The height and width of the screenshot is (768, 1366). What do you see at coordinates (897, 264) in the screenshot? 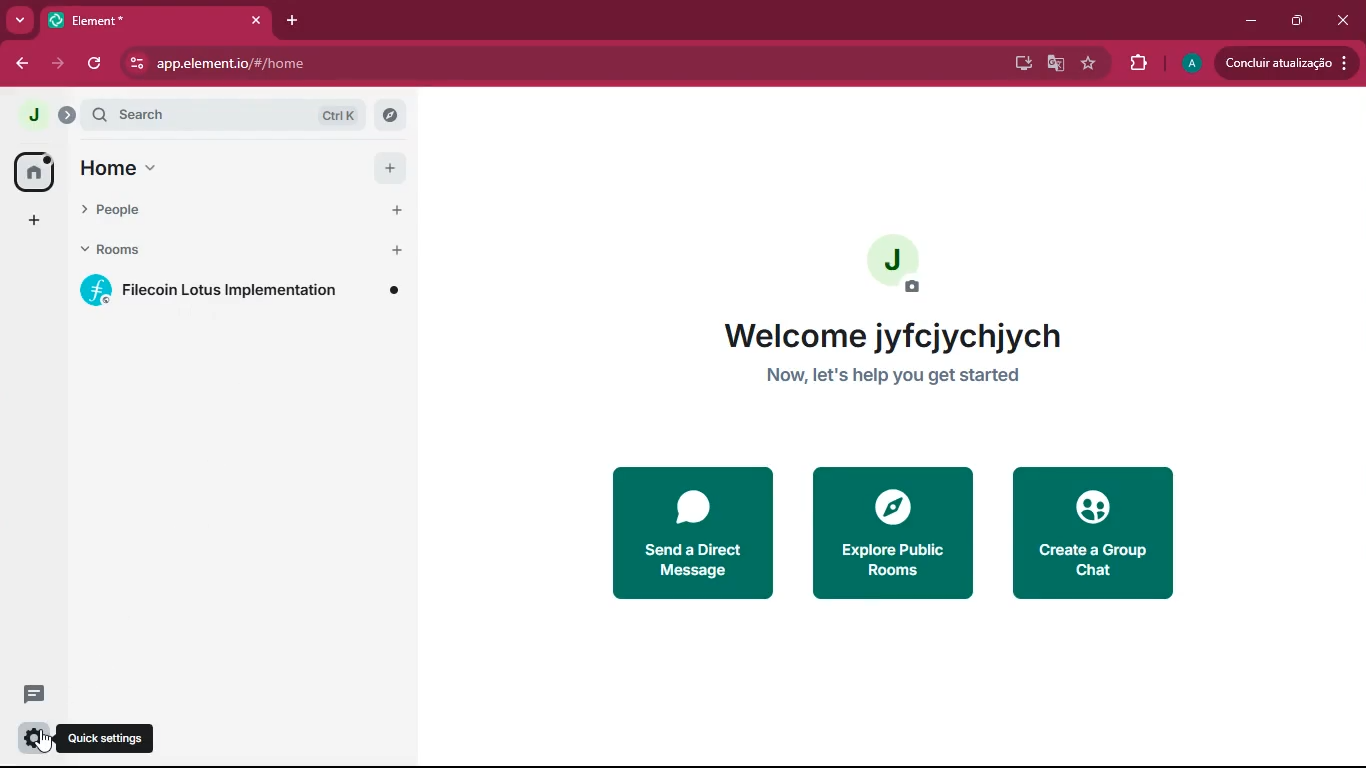
I see `profile picture` at bounding box center [897, 264].